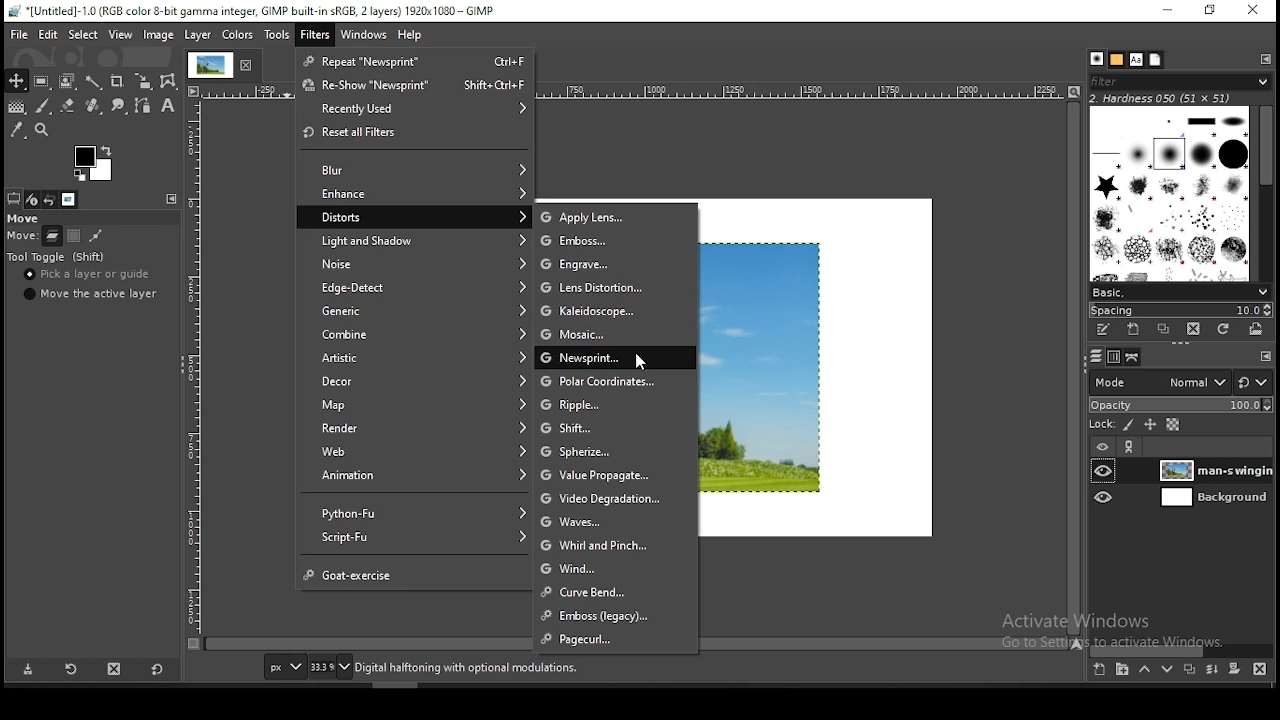 The width and height of the screenshot is (1280, 720). I want to click on fonts, so click(1137, 60).